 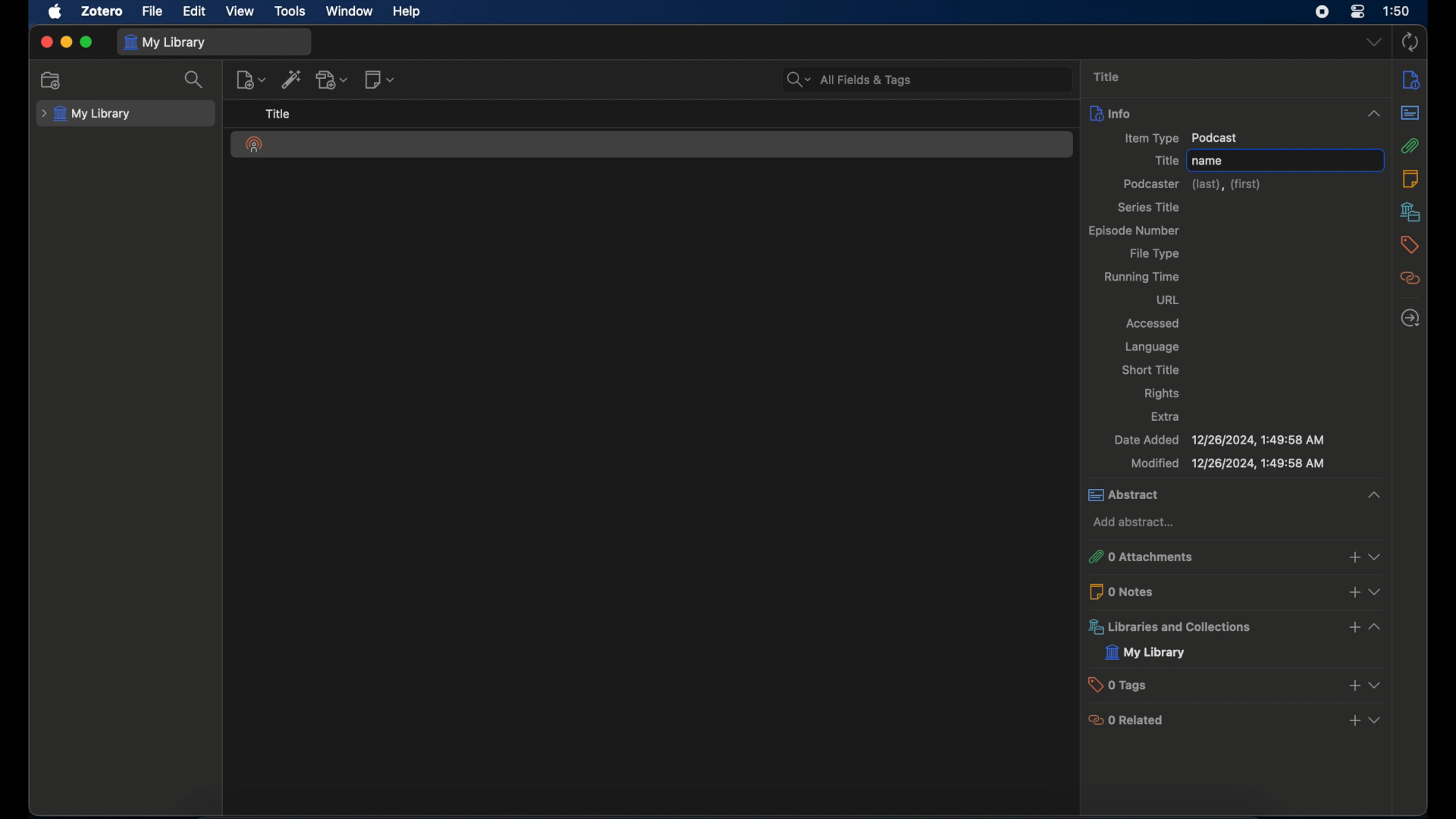 What do you see at coordinates (409, 12) in the screenshot?
I see `help` at bounding box center [409, 12].